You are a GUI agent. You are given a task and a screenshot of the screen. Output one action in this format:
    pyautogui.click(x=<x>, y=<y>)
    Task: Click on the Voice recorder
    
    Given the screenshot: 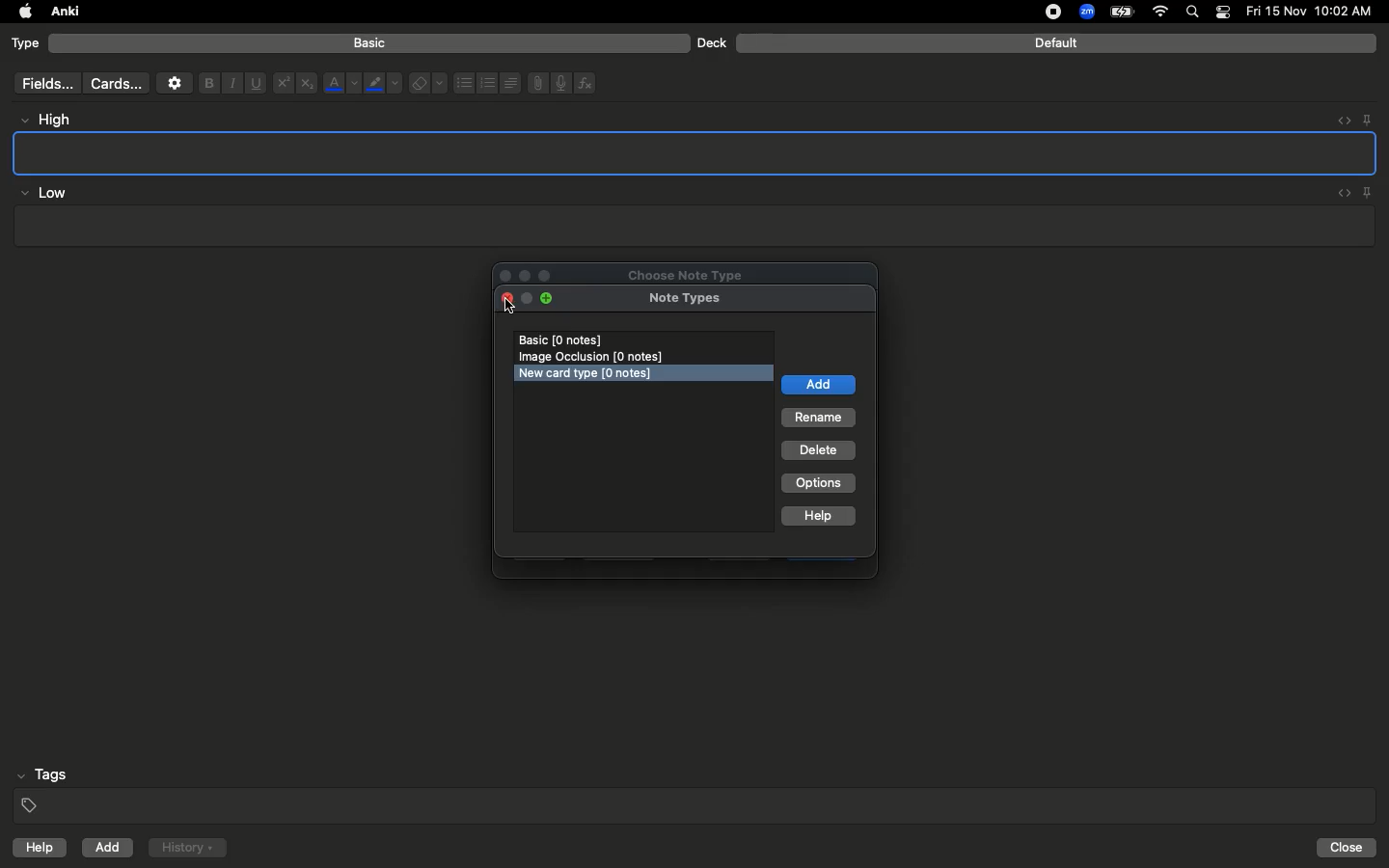 What is the action you would take?
    pyautogui.click(x=559, y=81)
    